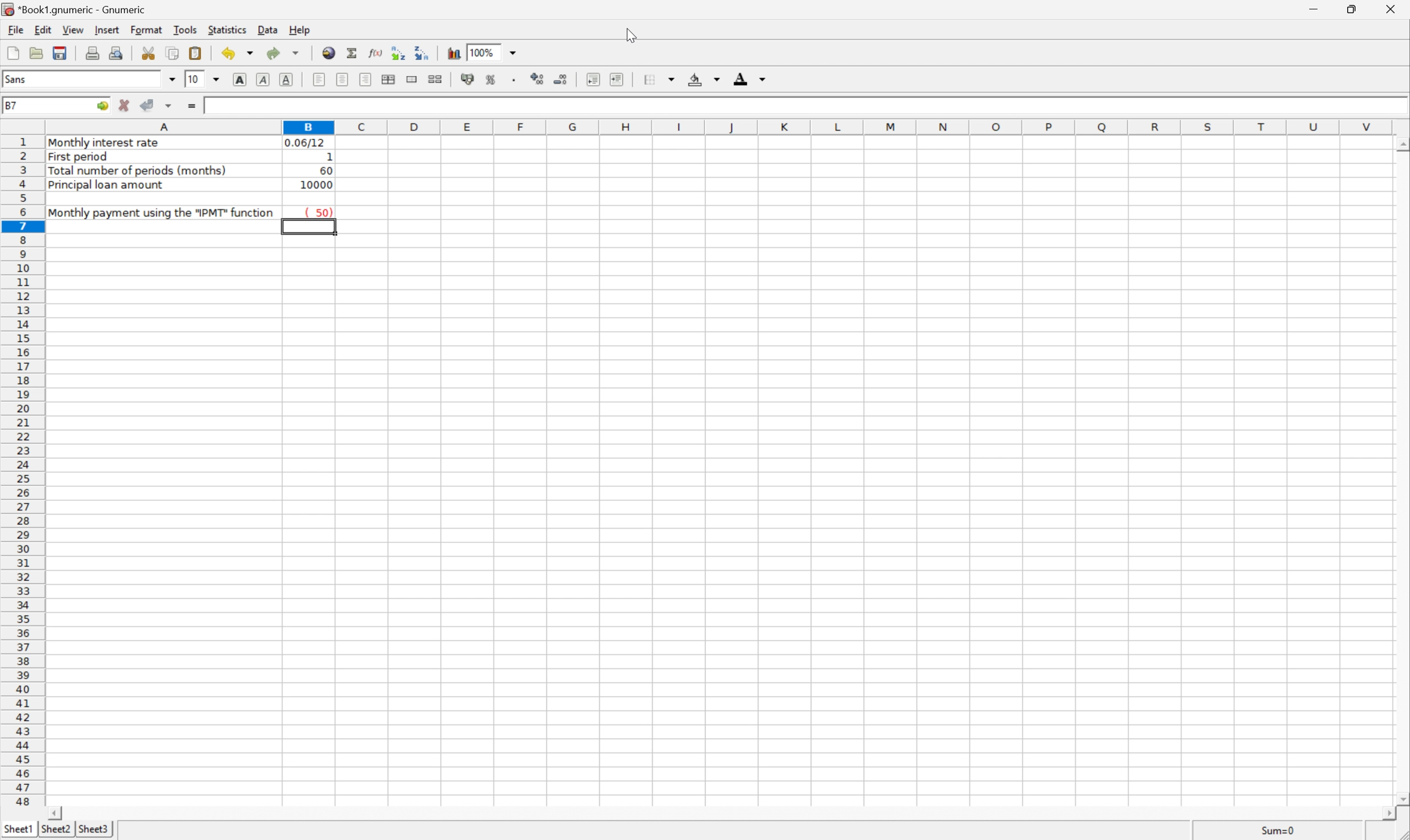 The image size is (1410, 840). What do you see at coordinates (454, 53) in the screenshot?
I see `Insert a chart` at bounding box center [454, 53].